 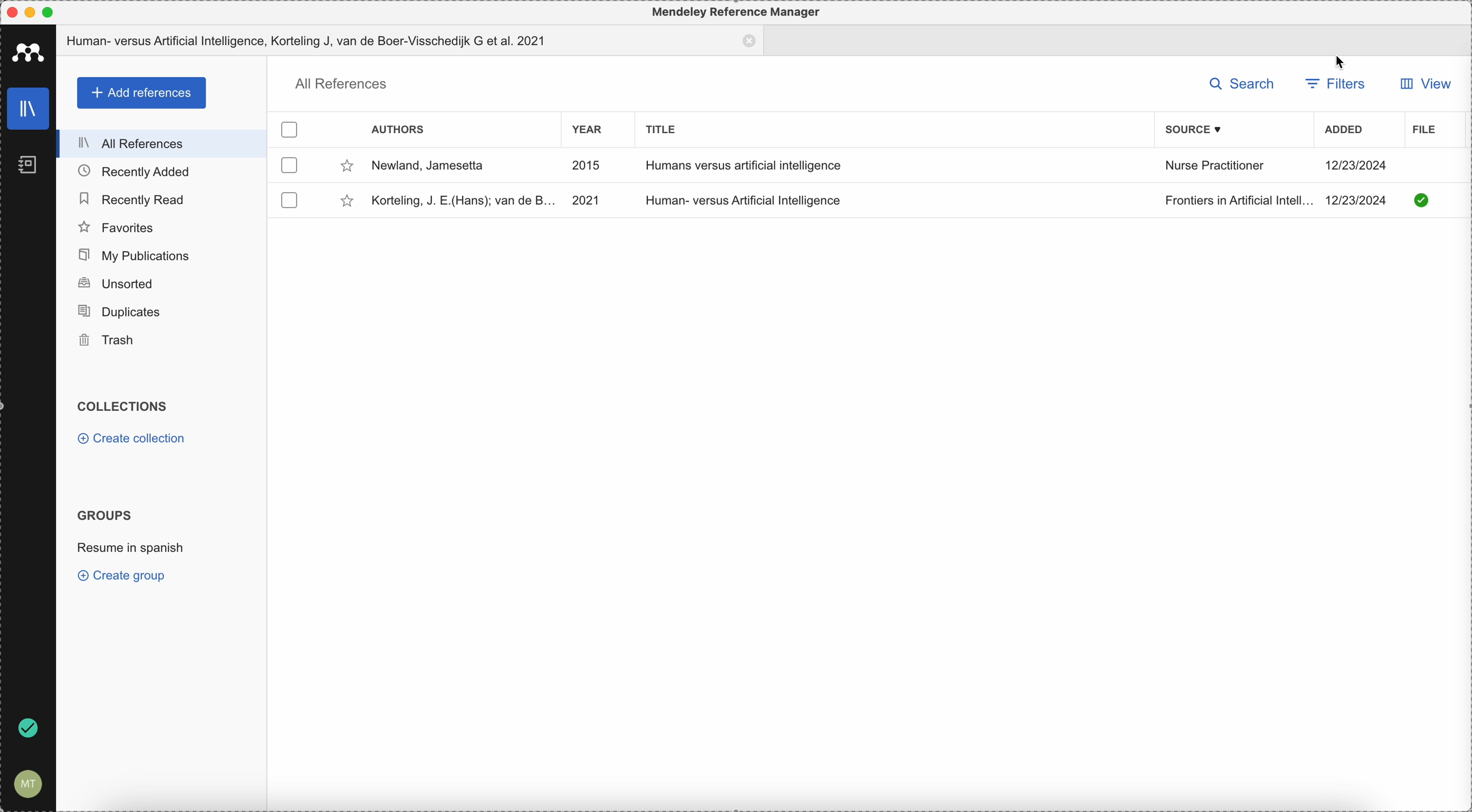 What do you see at coordinates (287, 199) in the screenshot?
I see `checkbox` at bounding box center [287, 199].